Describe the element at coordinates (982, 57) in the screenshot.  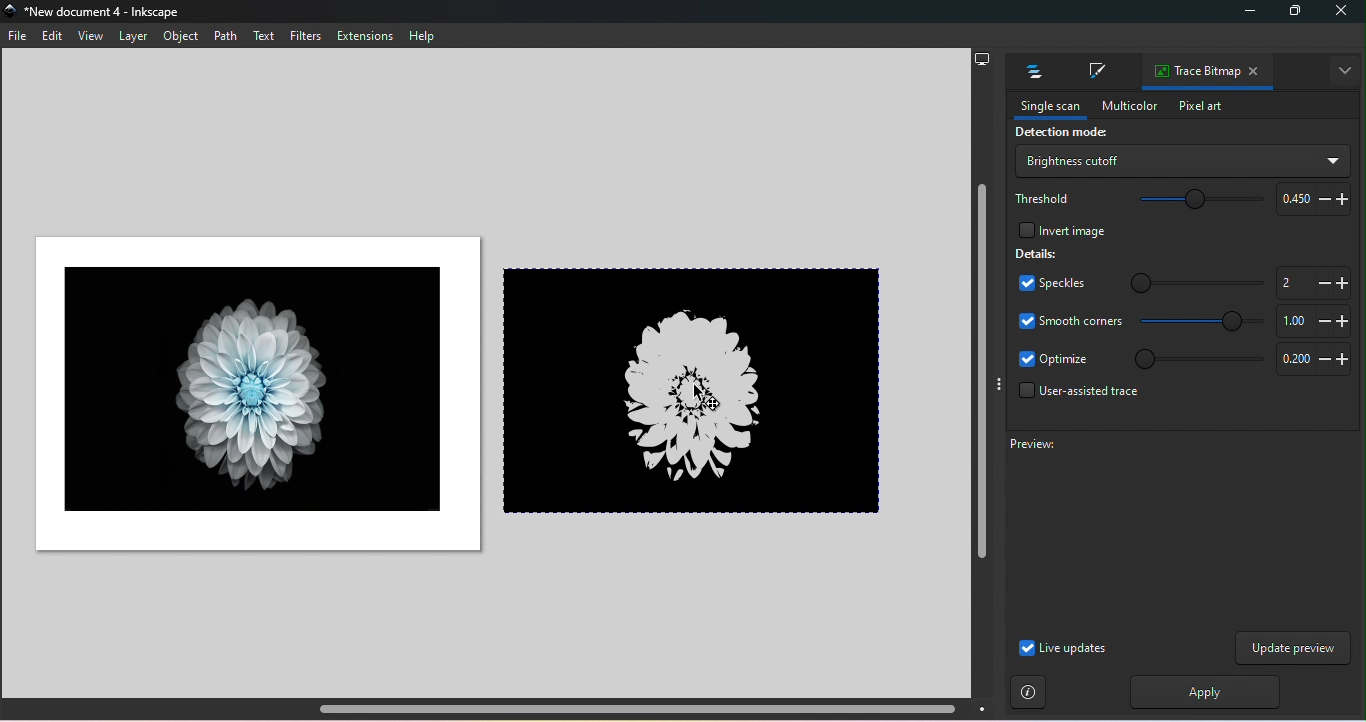
I see `Display options` at that location.